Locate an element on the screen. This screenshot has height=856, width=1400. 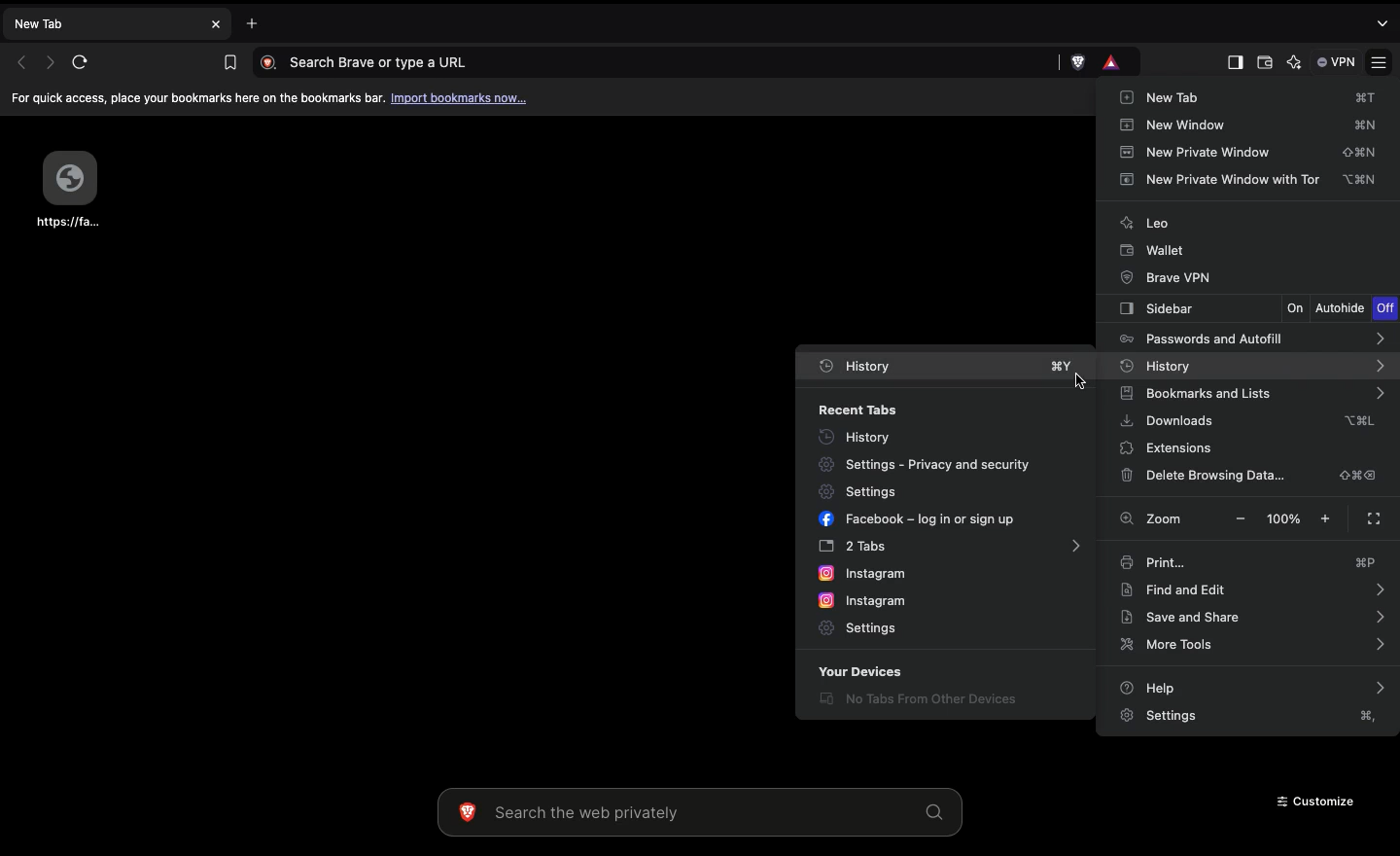
Autohide is located at coordinates (1341, 307).